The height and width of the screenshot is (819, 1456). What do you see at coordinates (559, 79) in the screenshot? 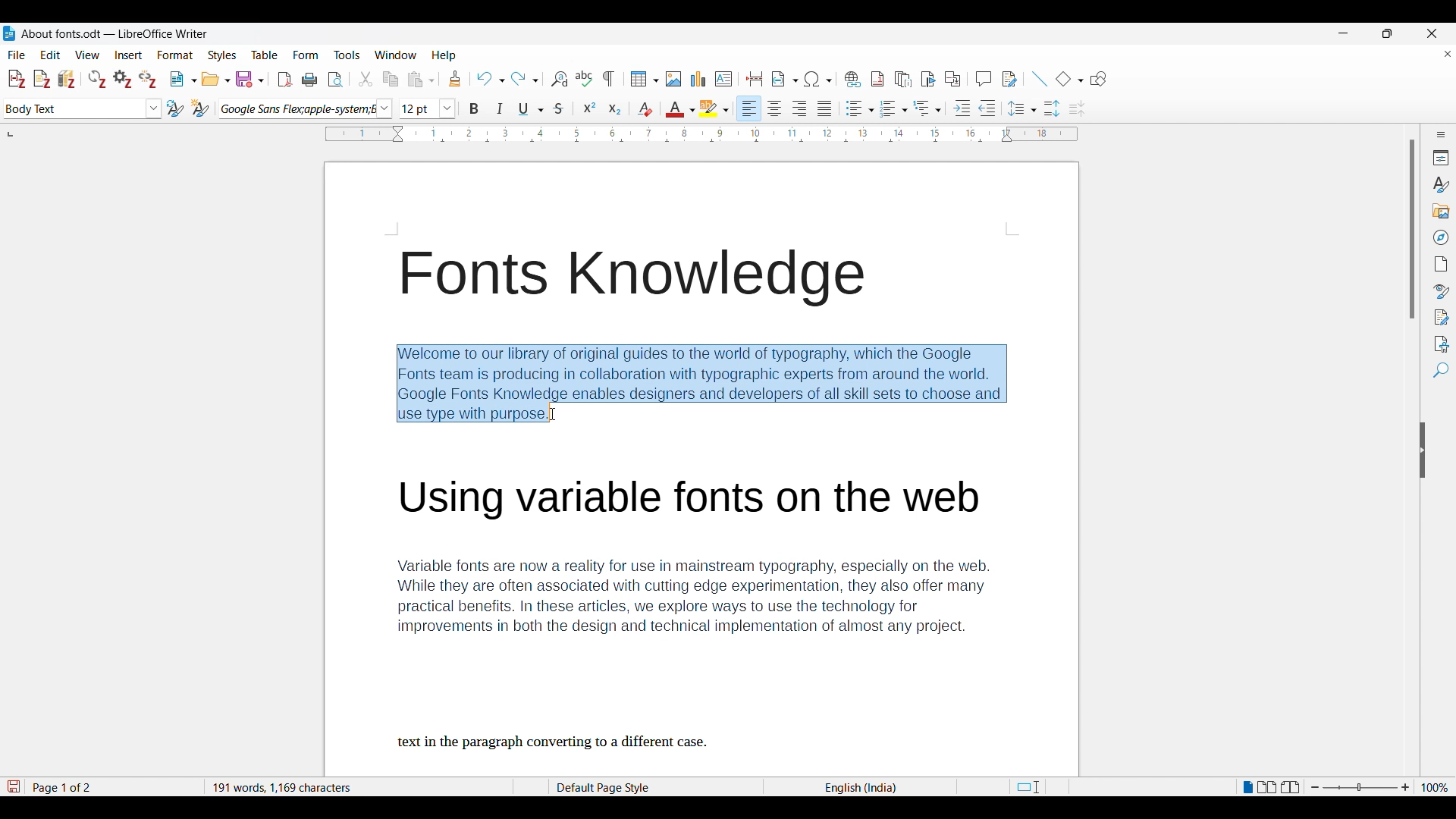
I see `Find and replace` at bounding box center [559, 79].